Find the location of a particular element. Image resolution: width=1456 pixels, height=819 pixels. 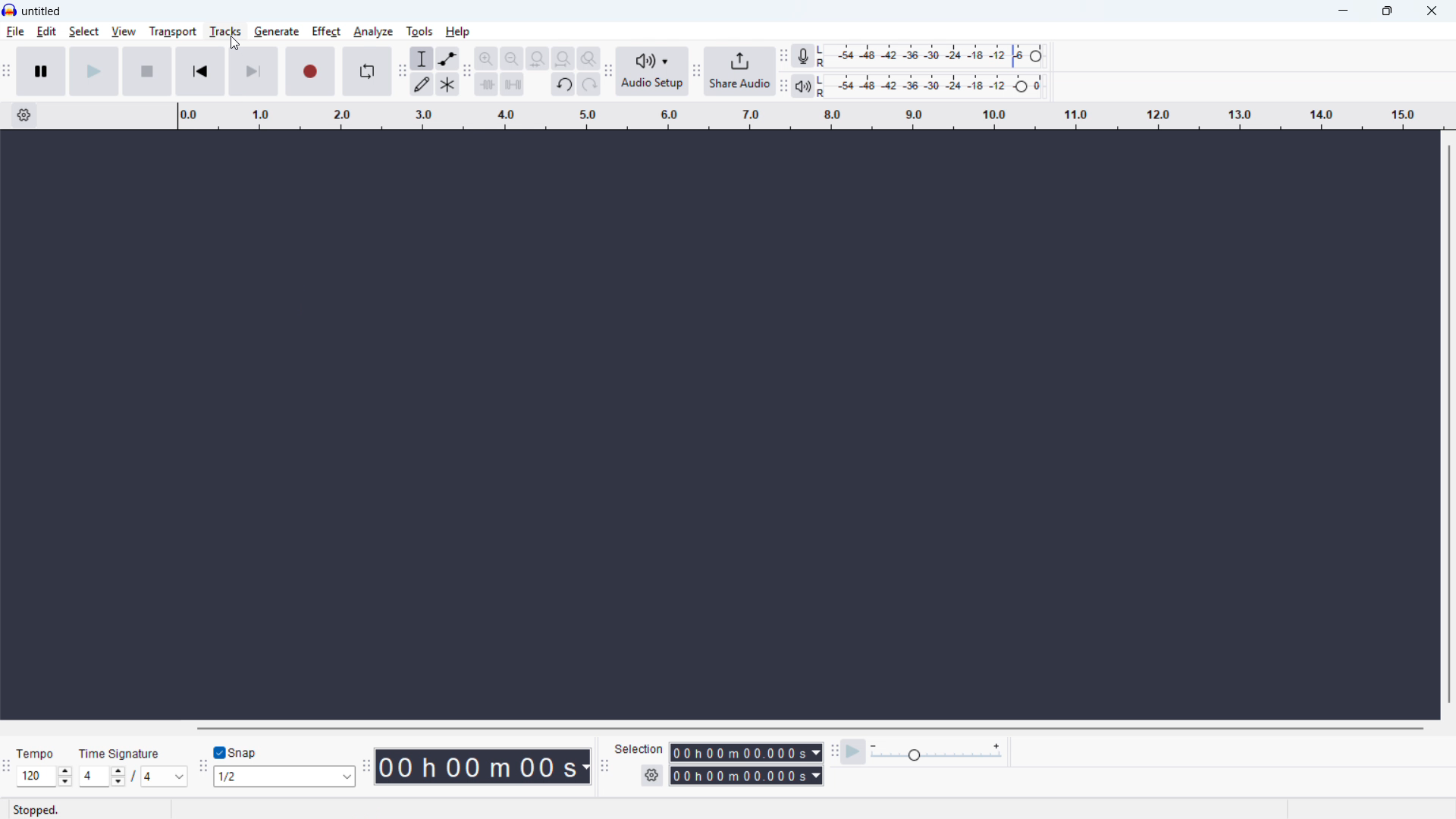

Envelope tool  is located at coordinates (448, 58).